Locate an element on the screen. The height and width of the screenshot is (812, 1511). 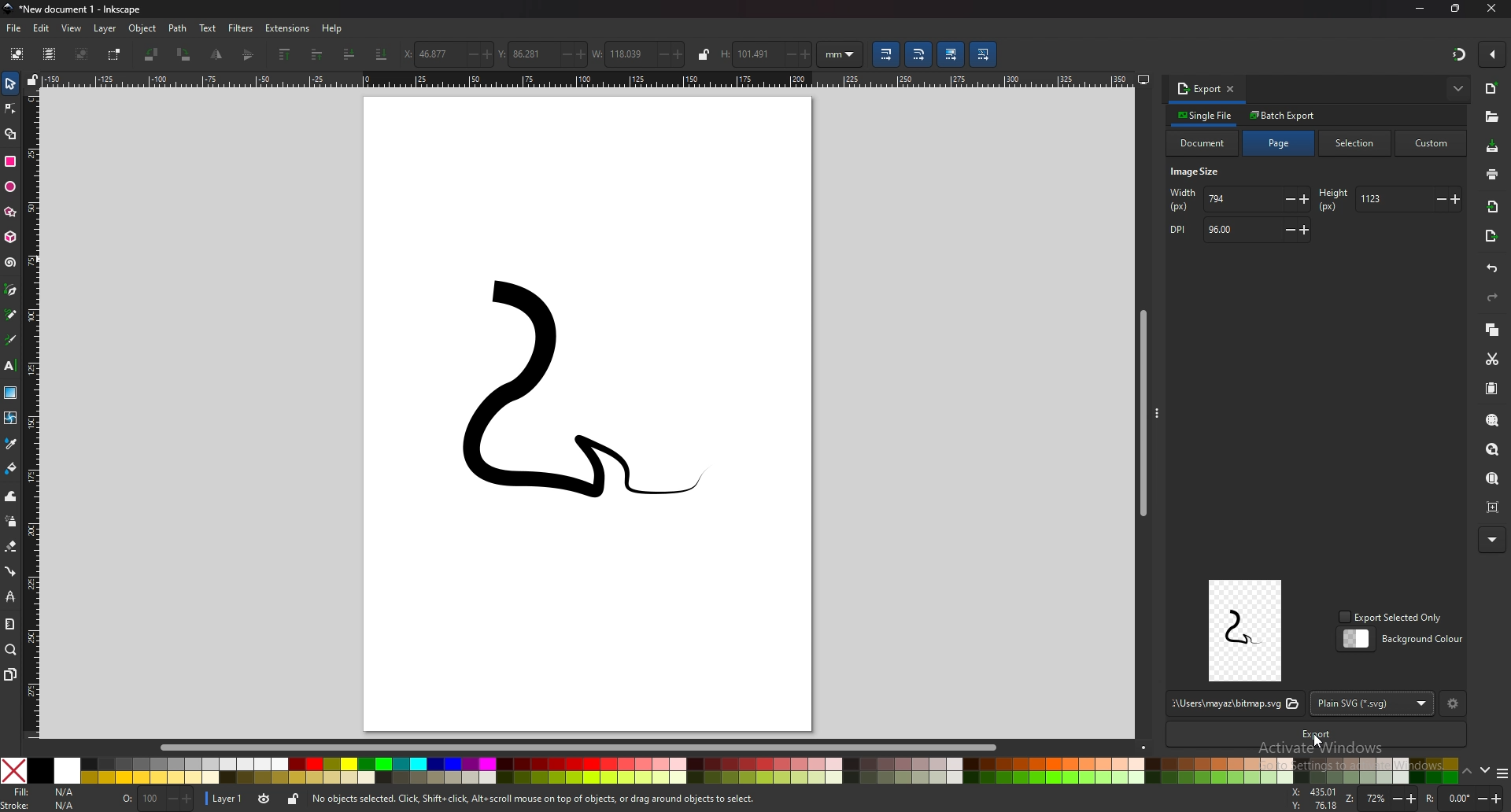
path is located at coordinates (178, 28).